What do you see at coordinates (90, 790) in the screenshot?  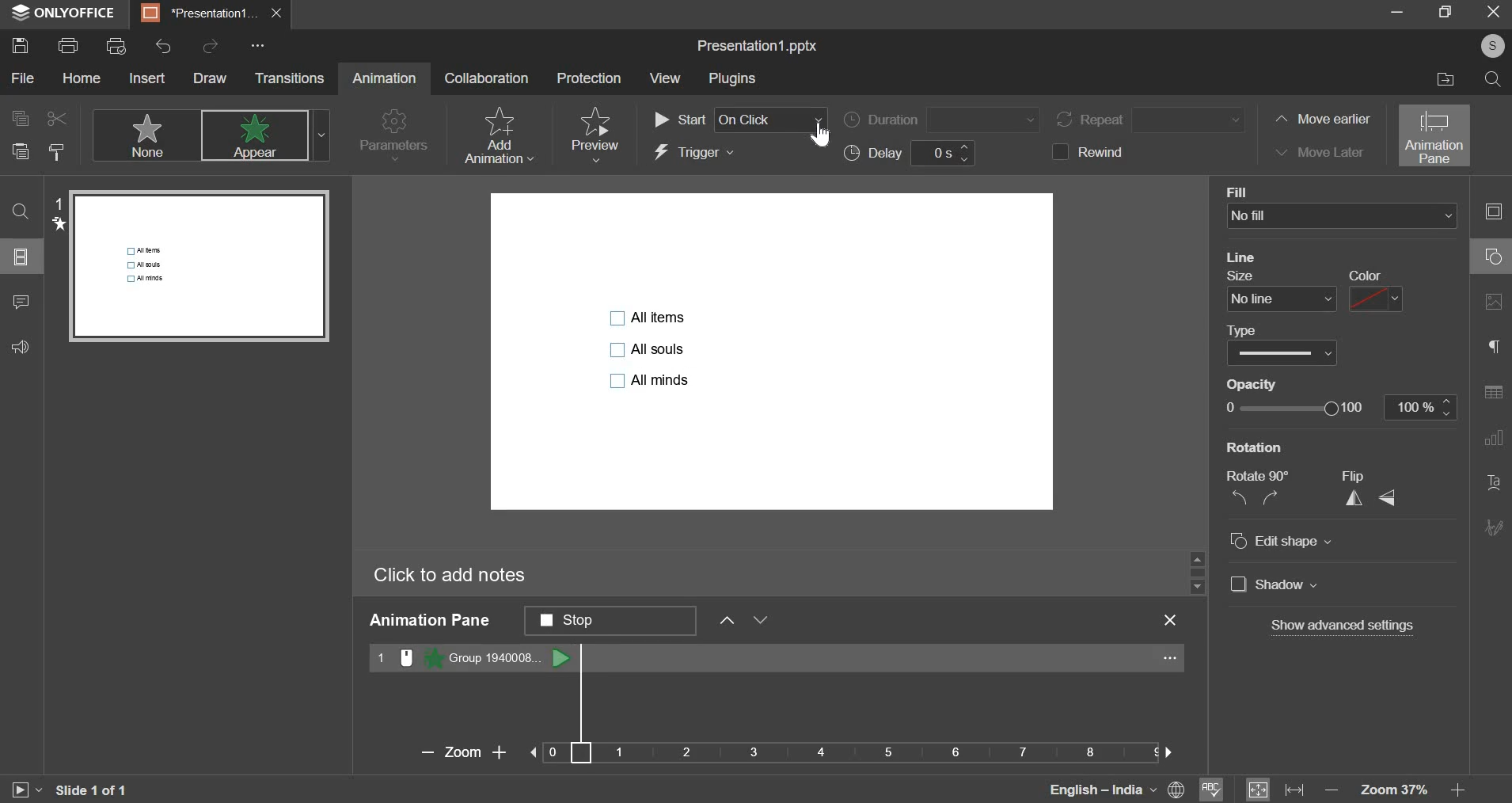 I see `slide 1 of 1` at bounding box center [90, 790].